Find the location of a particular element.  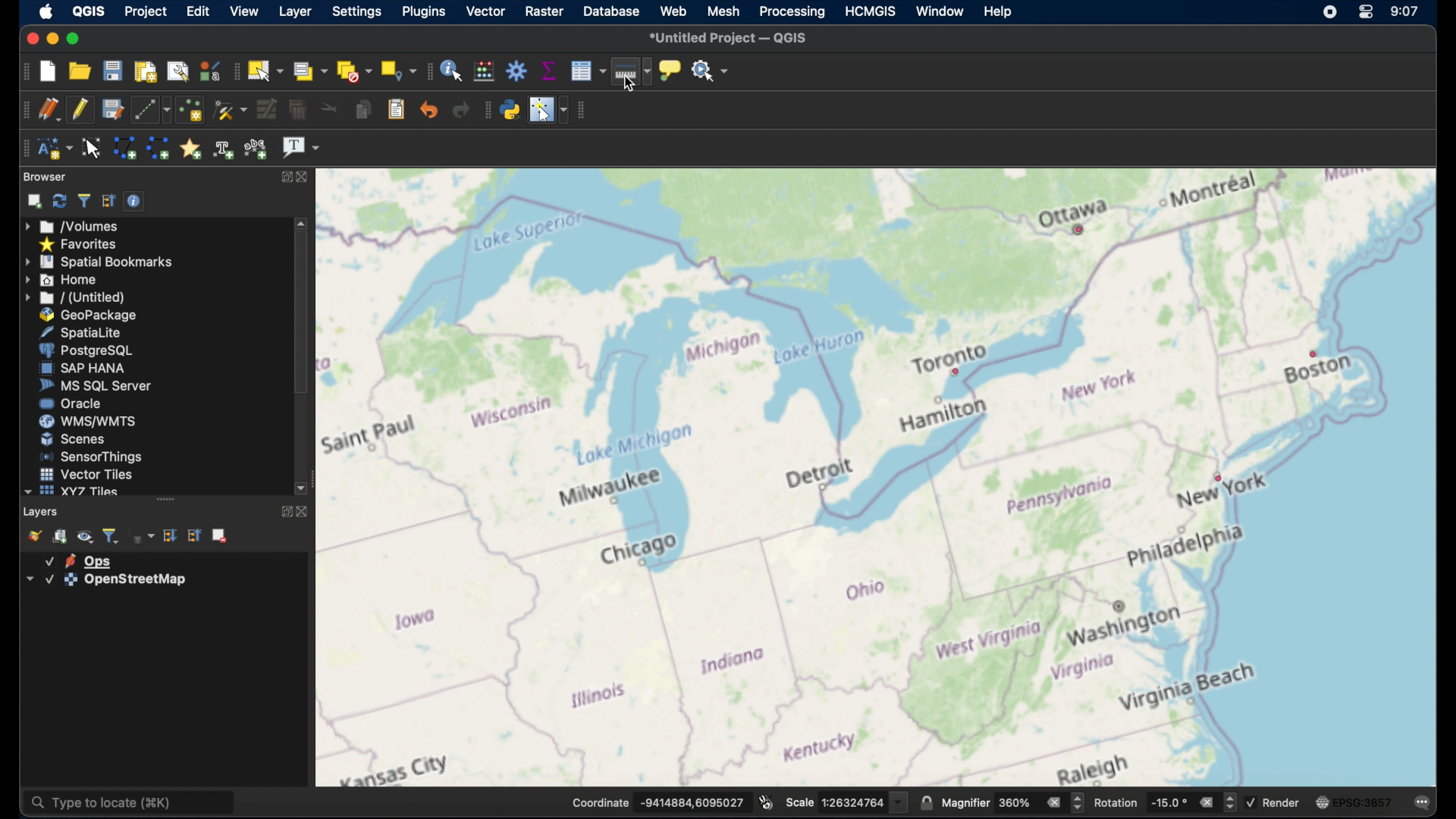

collapse all is located at coordinates (108, 201).